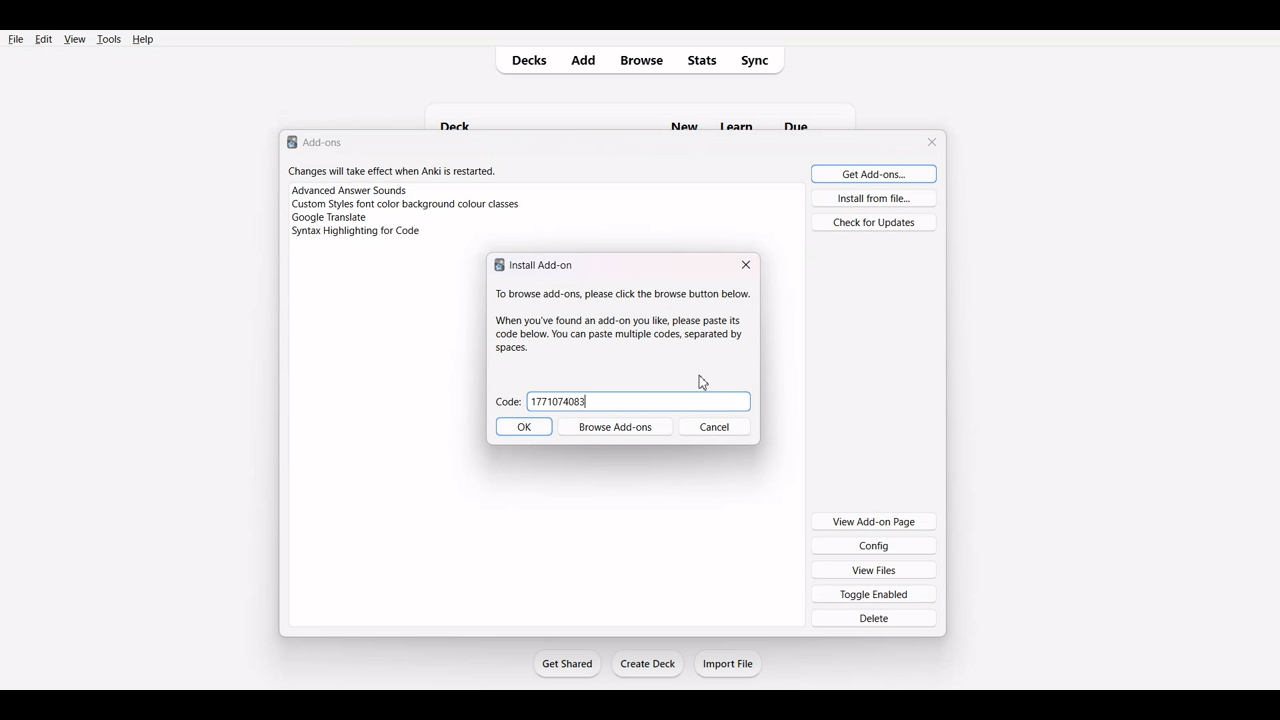 The height and width of the screenshot is (720, 1280). I want to click on Decks, so click(525, 61).